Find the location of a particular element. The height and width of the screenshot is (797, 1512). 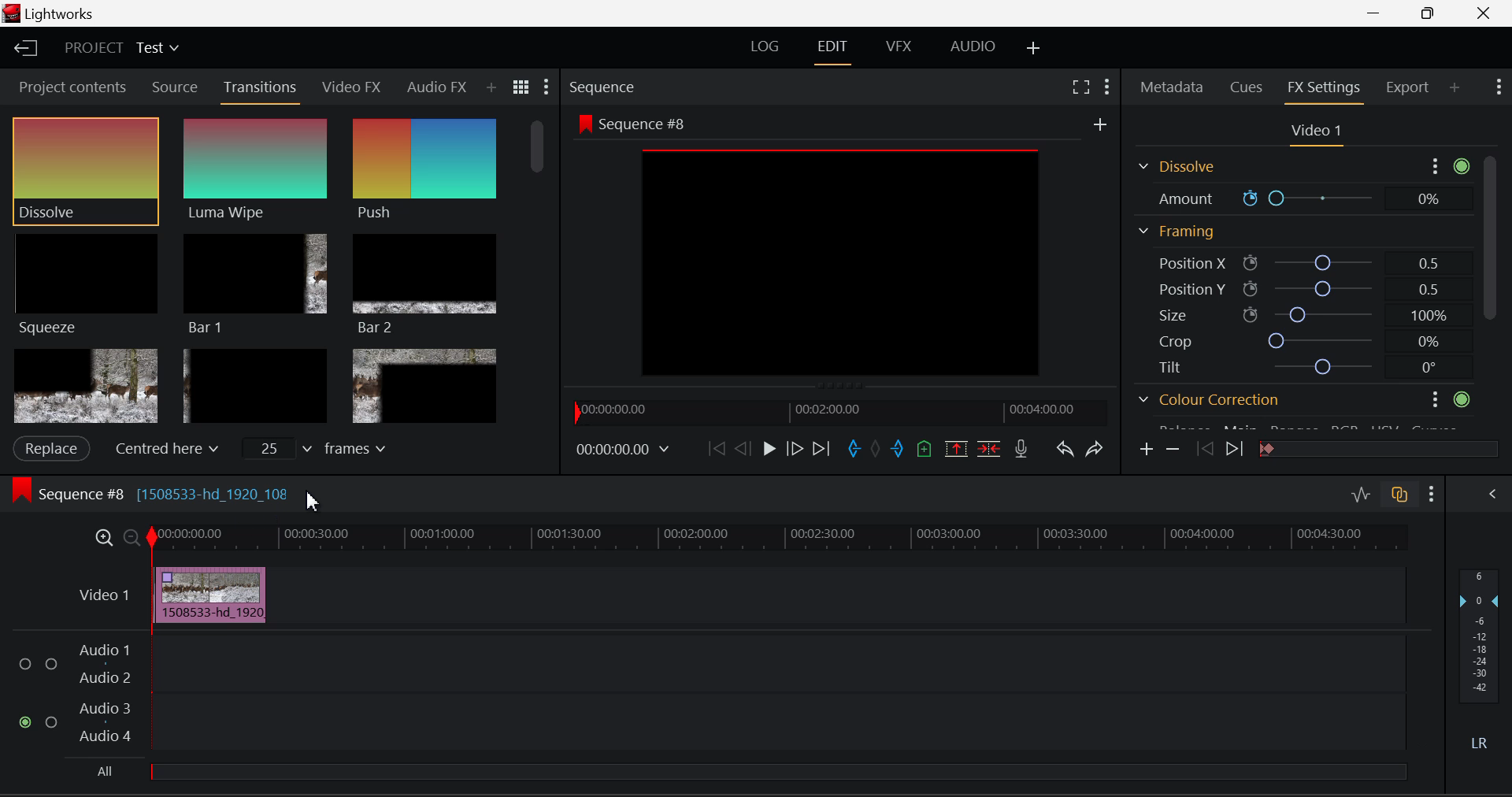

AUDIO Layout is located at coordinates (967, 48).